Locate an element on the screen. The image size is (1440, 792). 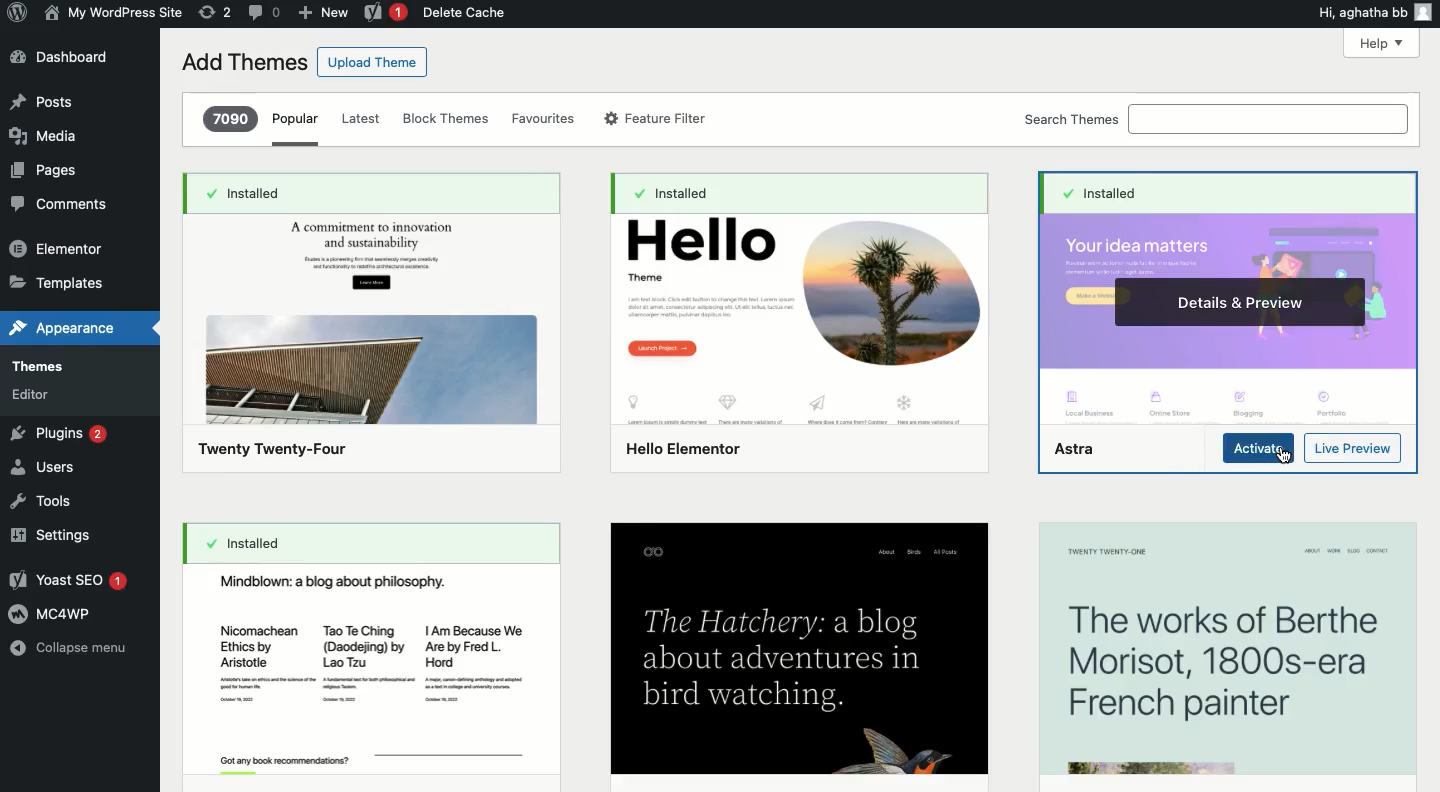
Twenty Twenty-Four Theme is located at coordinates (372, 344).